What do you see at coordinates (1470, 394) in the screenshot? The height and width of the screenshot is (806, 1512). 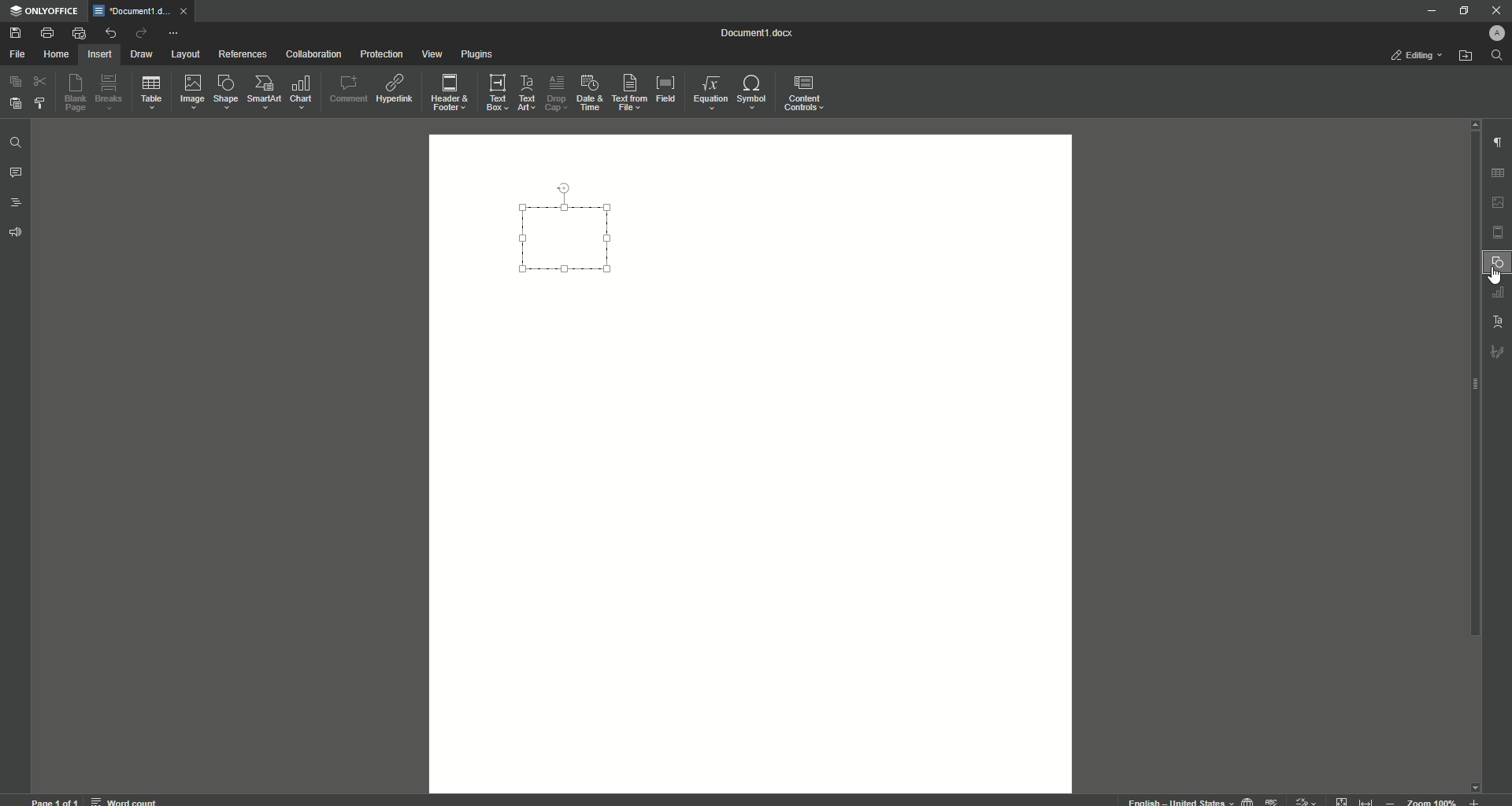 I see `Scroll` at bounding box center [1470, 394].